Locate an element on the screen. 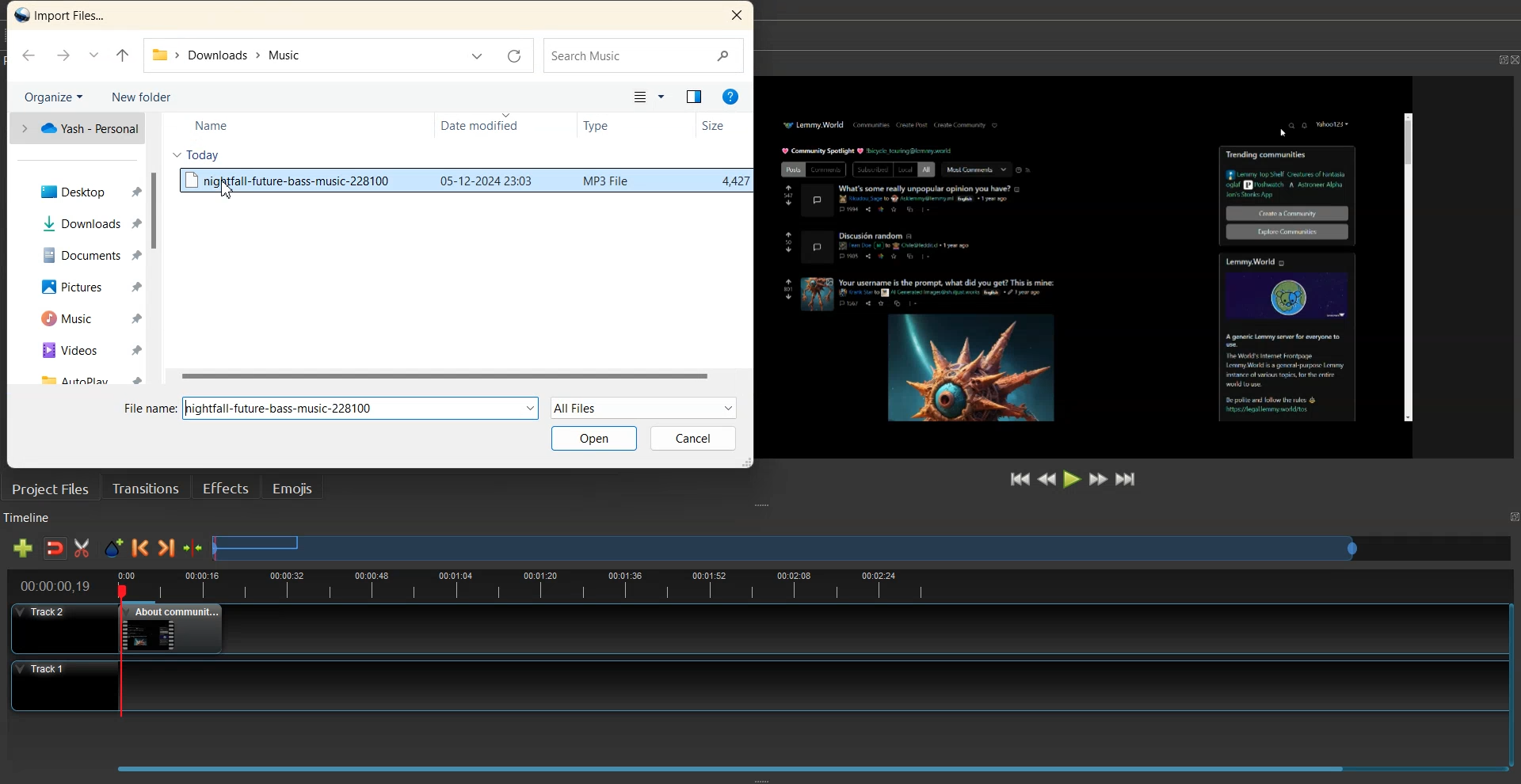 The image size is (1521, 784). Videos is located at coordinates (75, 350).